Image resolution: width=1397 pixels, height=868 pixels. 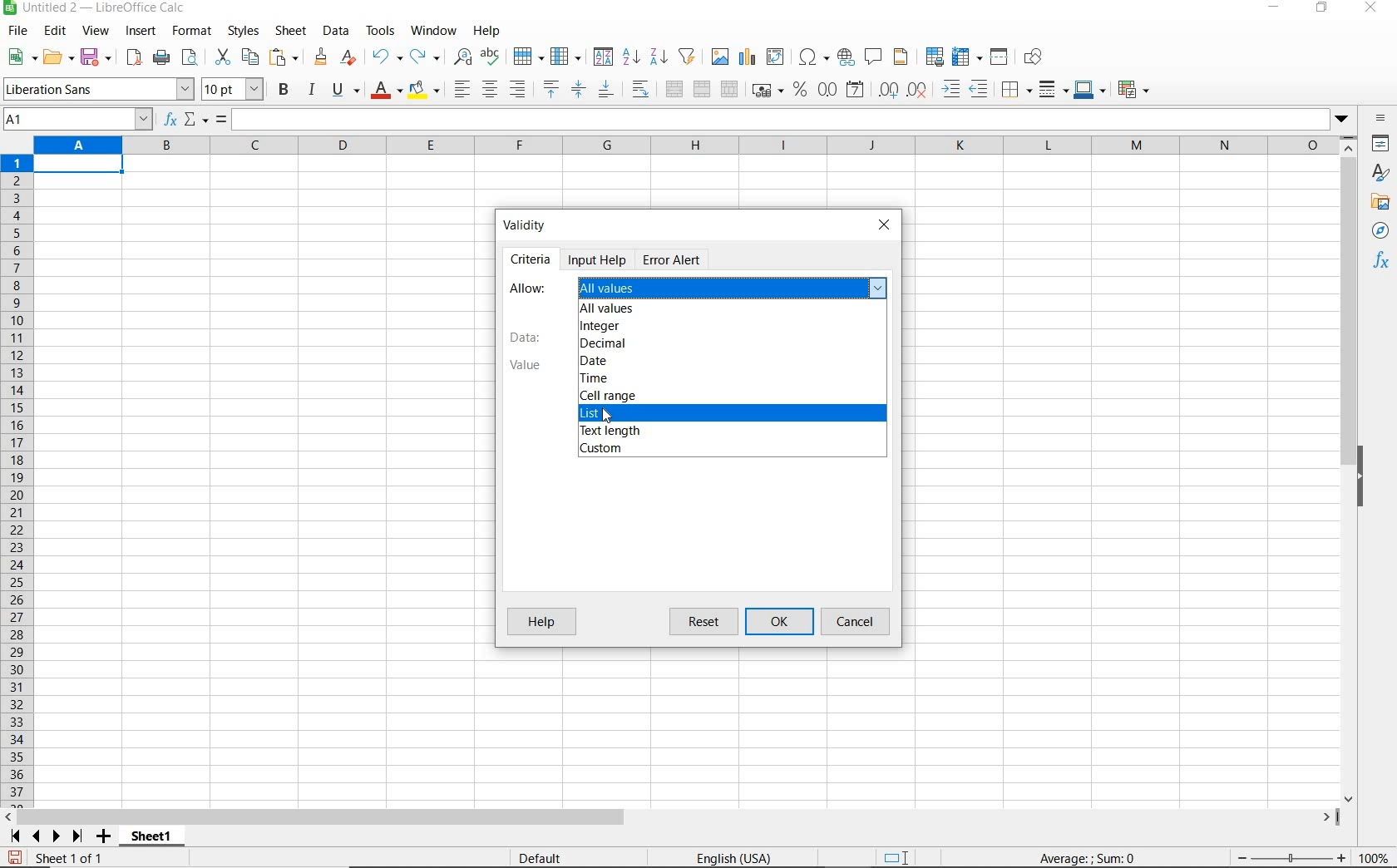 I want to click on text language, so click(x=732, y=860).